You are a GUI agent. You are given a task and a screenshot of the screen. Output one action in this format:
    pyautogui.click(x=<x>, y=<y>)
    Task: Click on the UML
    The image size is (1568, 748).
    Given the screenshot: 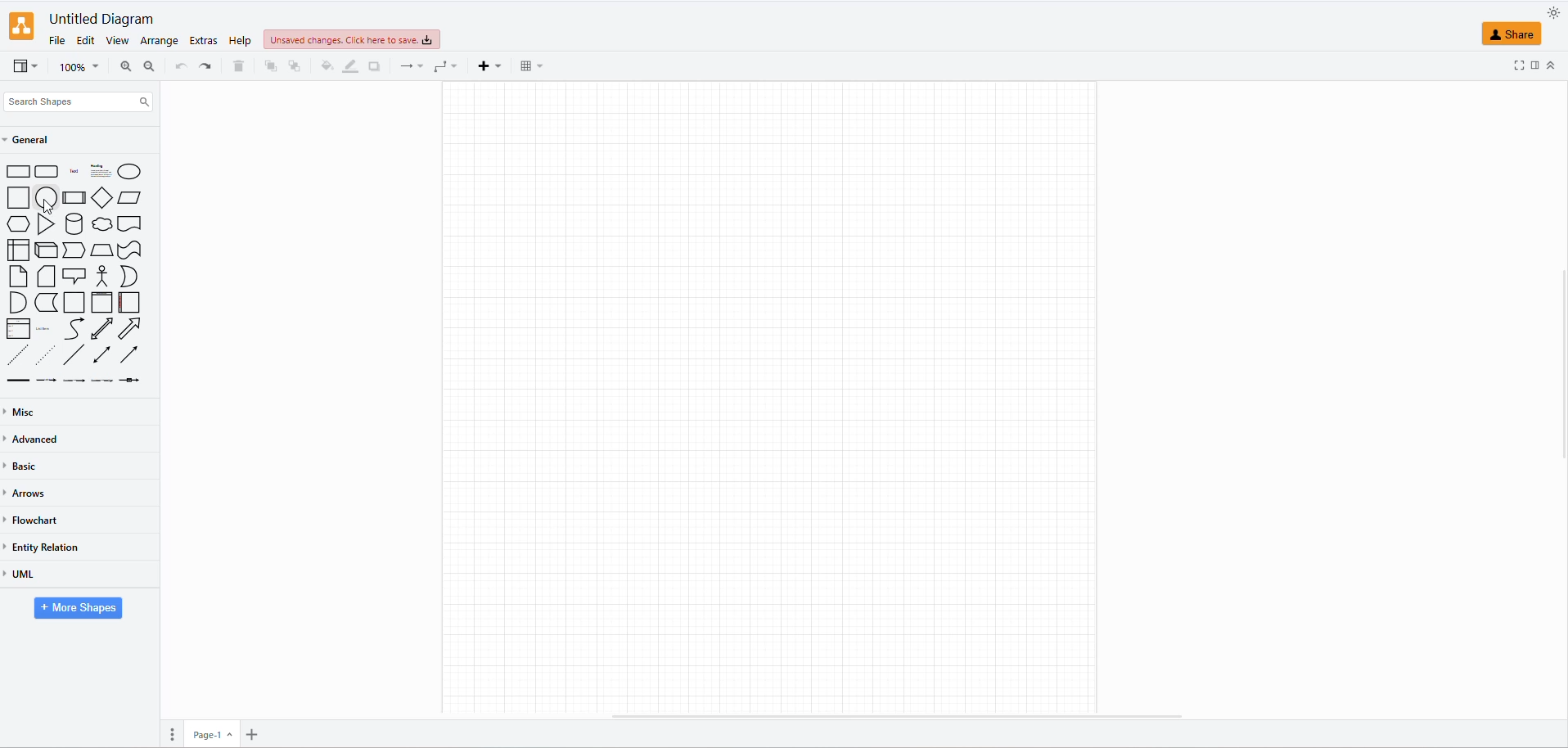 What is the action you would take?
    pyautogui.click(x=24, y=579)
    